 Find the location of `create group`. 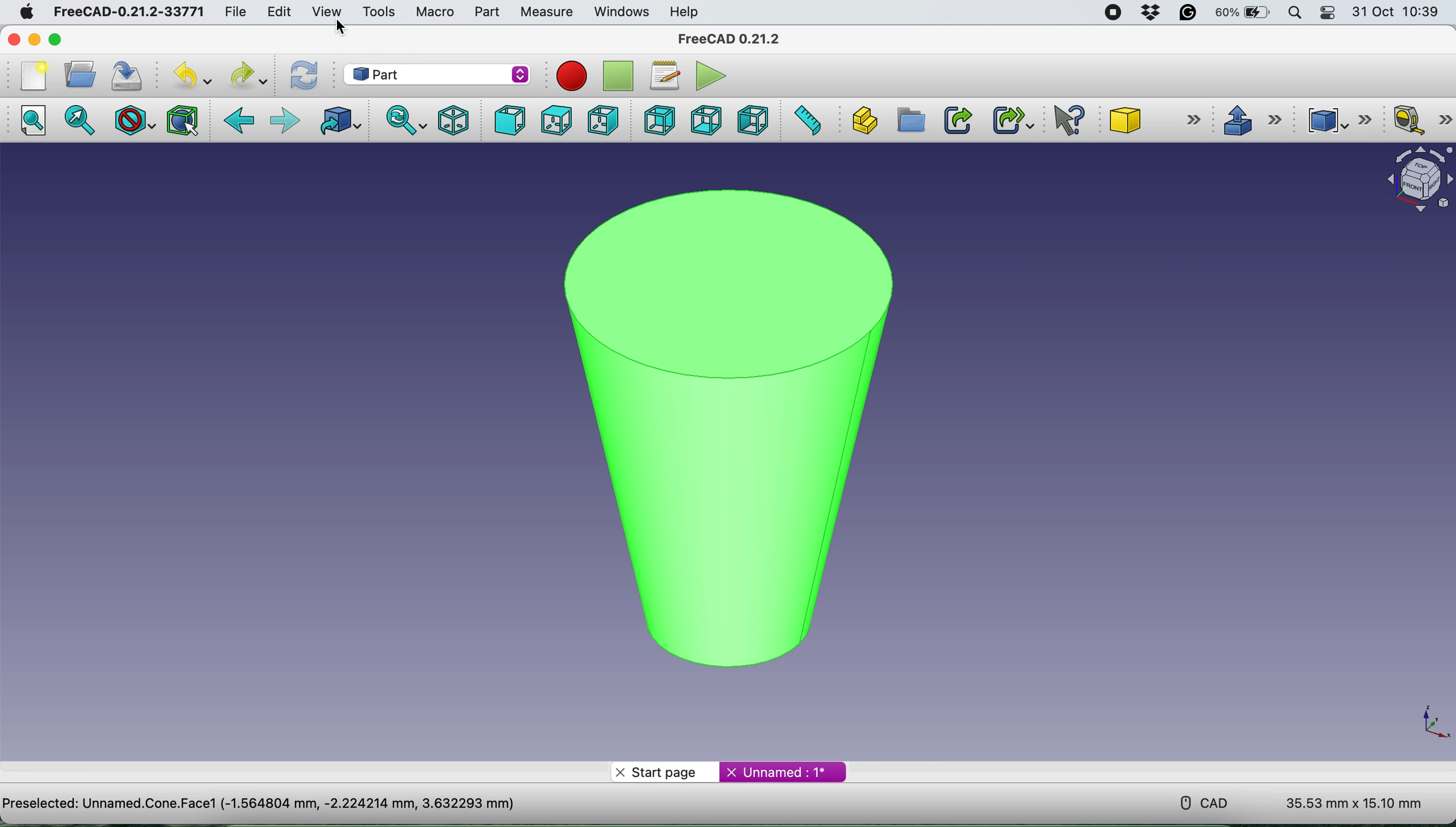

create group is located at coordinates (910, 121).